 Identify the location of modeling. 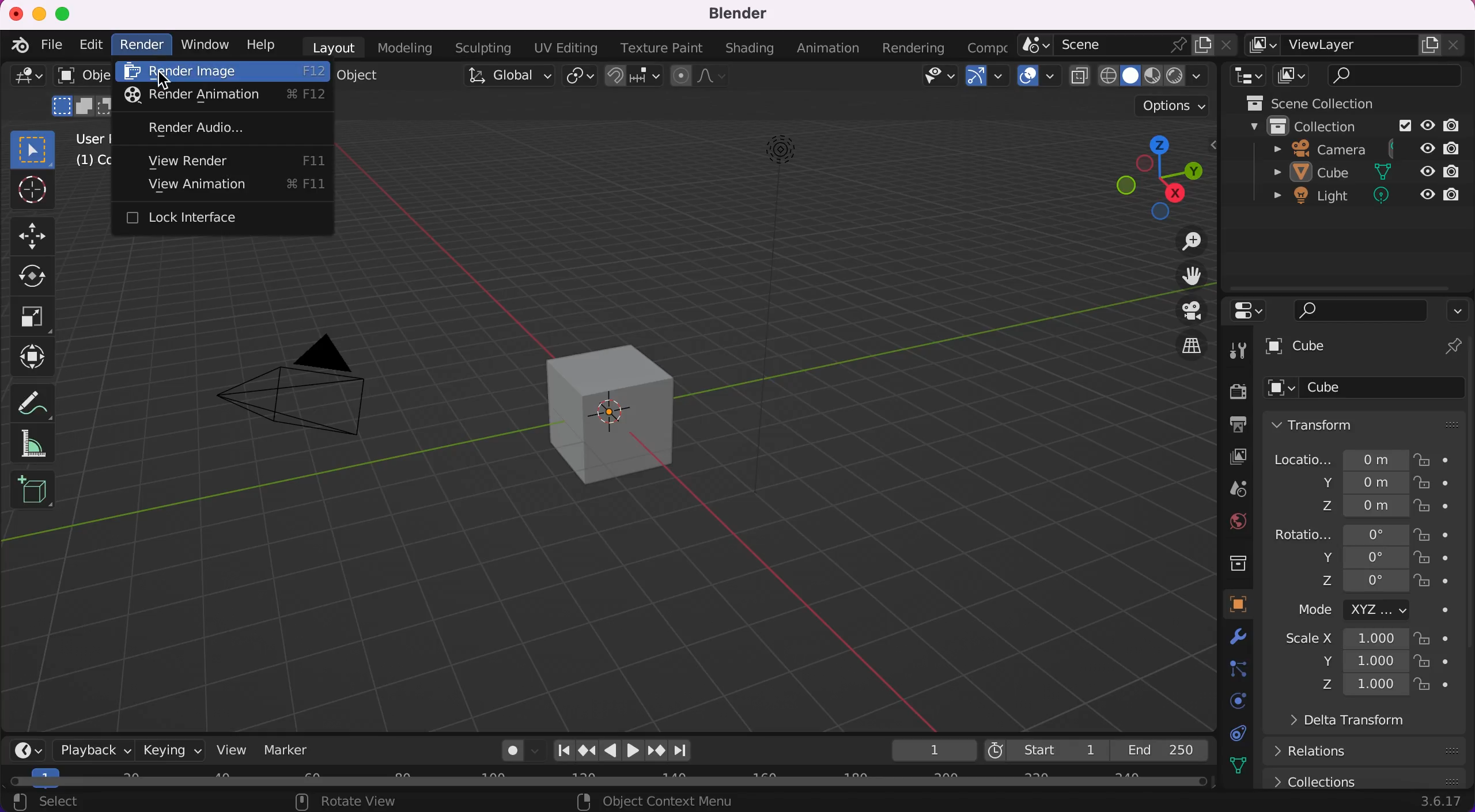
(406, 49).